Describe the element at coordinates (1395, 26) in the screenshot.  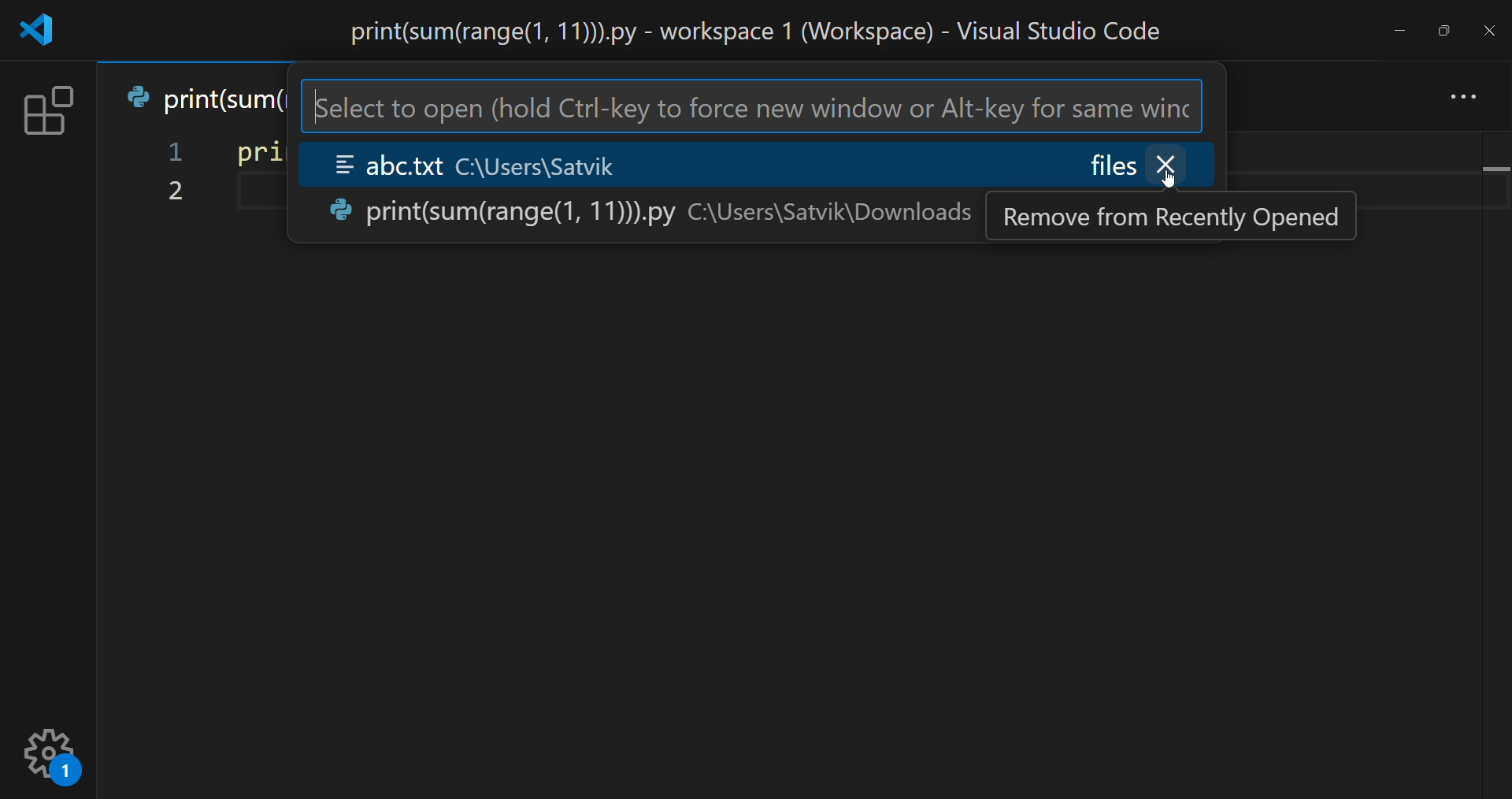
I see `minimize` at that location.